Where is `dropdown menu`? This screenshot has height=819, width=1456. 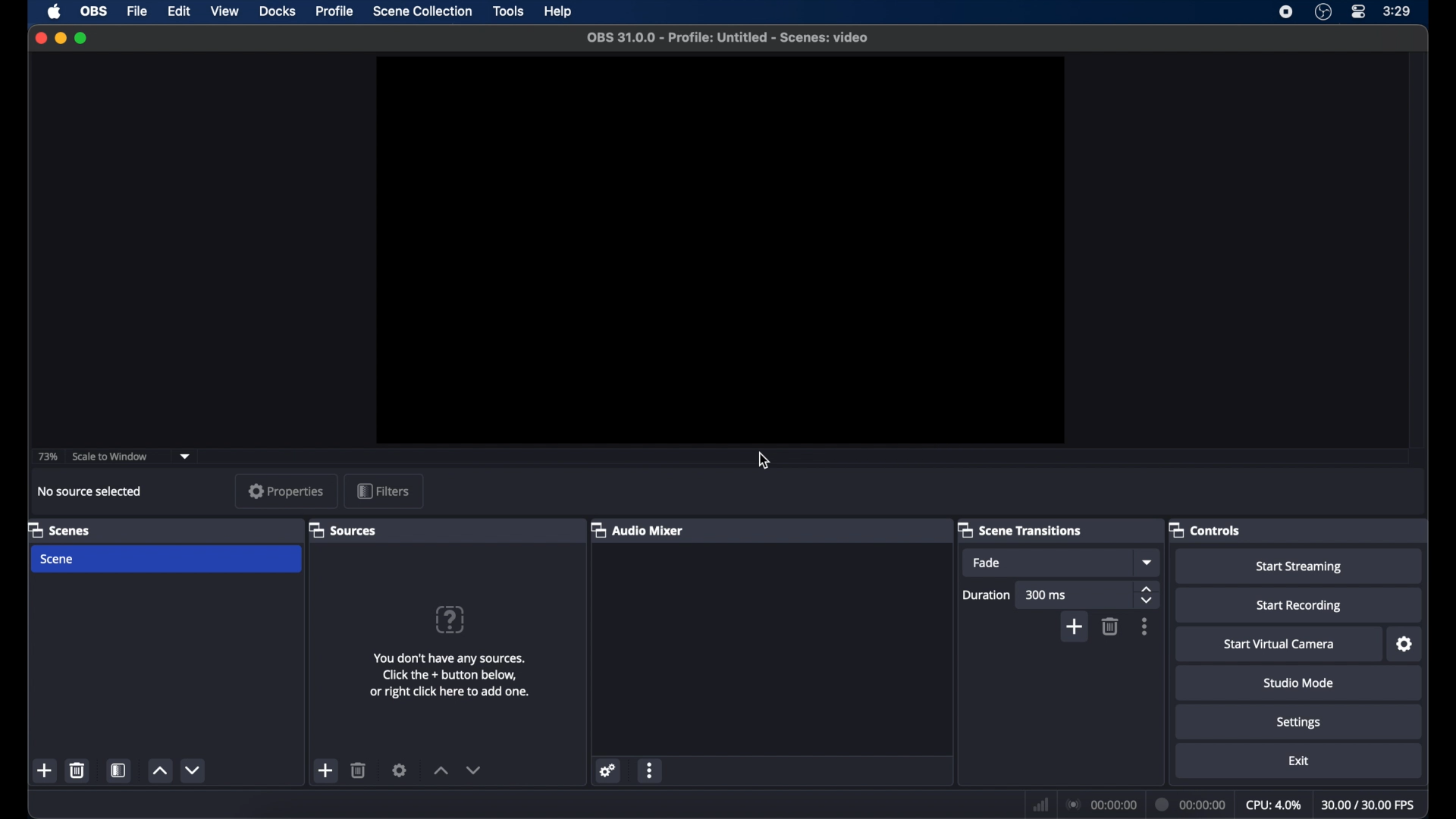
dropdown menu is located at coordinates (1147, 562).